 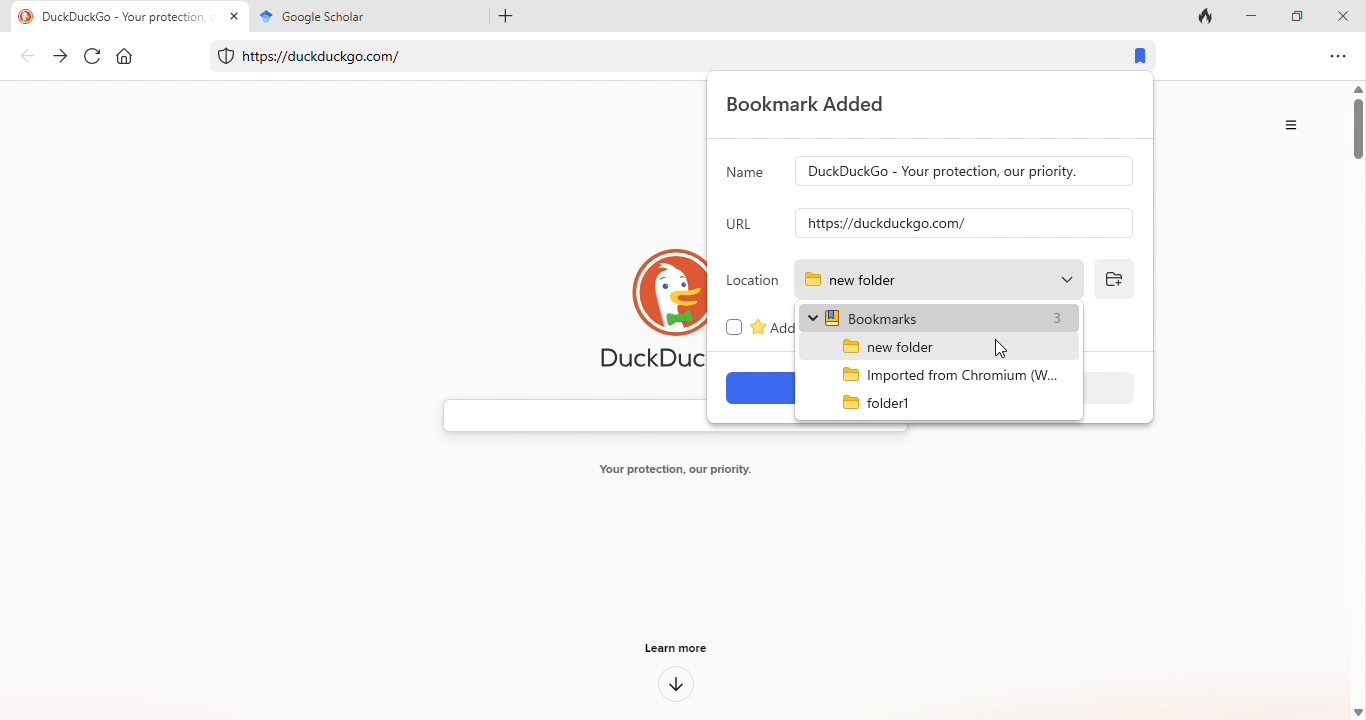 What do you see at coordinates (1113, 279) in the screenshot?
I see `add folder` at bounding box center [1113, 279].